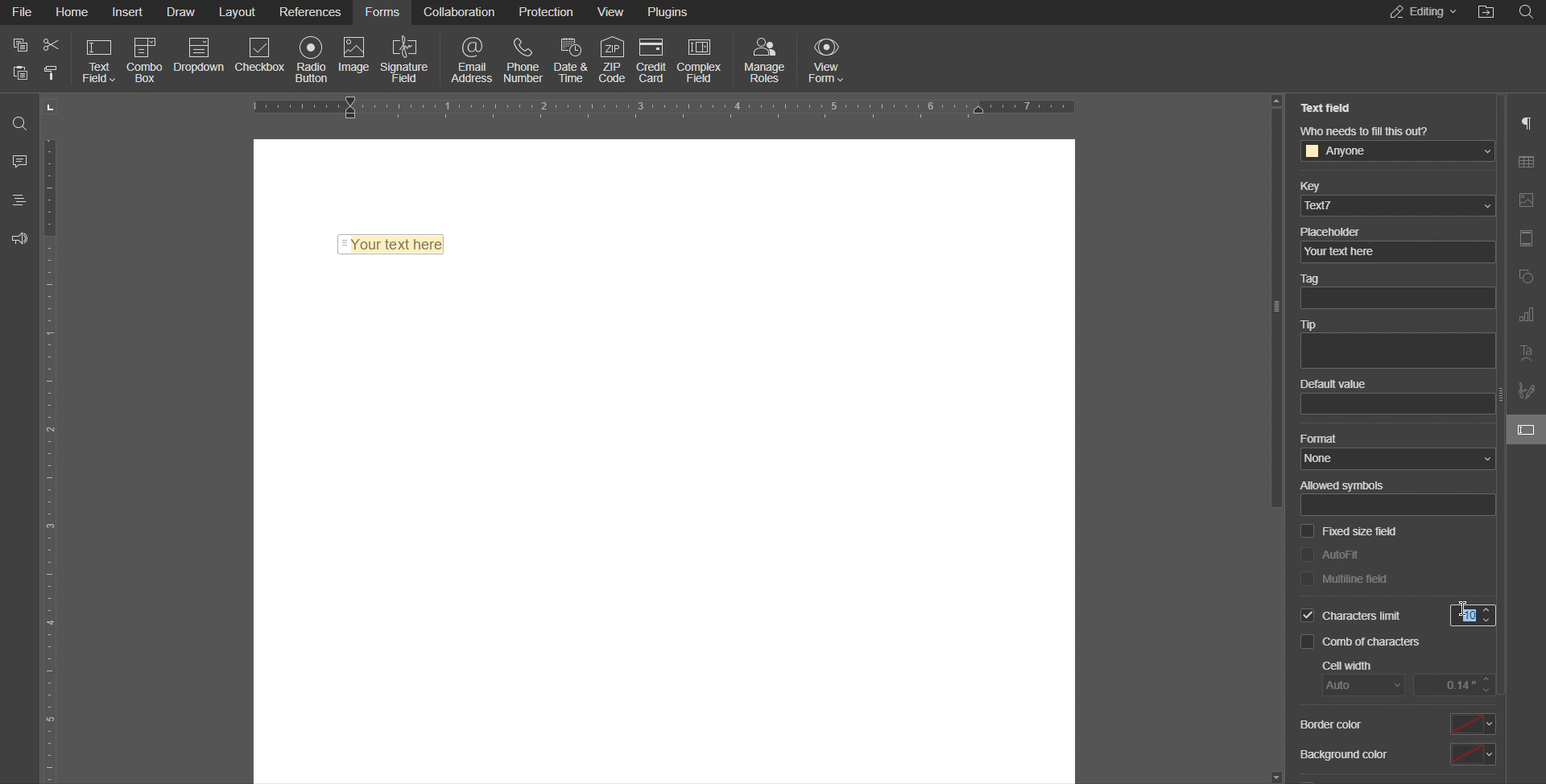 Image resolution: width=1546 pixels, height=784 pixels. What do you see at coordinates (384, 12) in the screenshot?
I see `Forms` at bounding box center [384, 12].